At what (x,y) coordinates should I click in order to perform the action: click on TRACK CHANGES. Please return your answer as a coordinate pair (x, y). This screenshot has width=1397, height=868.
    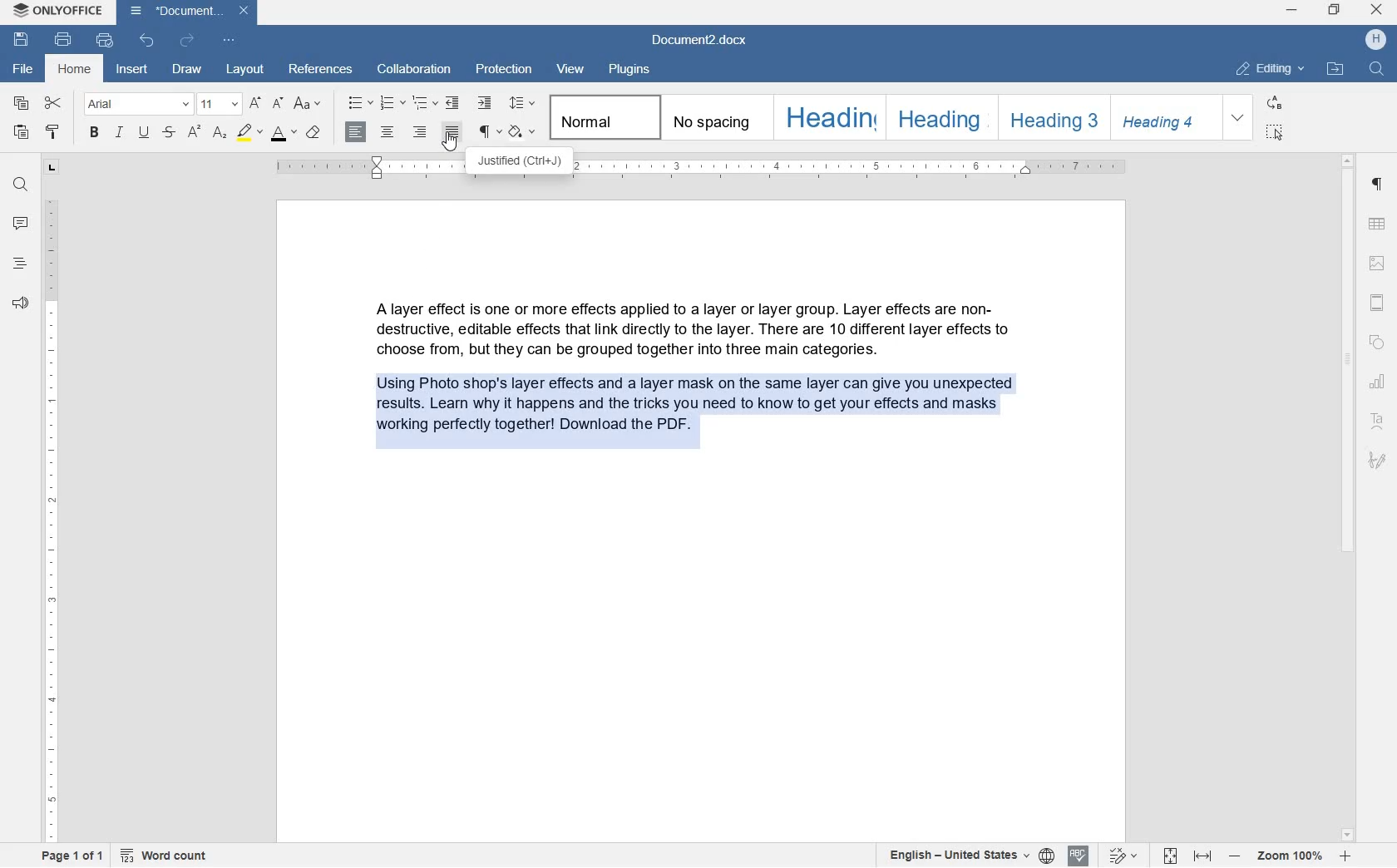
    Looking at the image, I should click on (1123, 856).